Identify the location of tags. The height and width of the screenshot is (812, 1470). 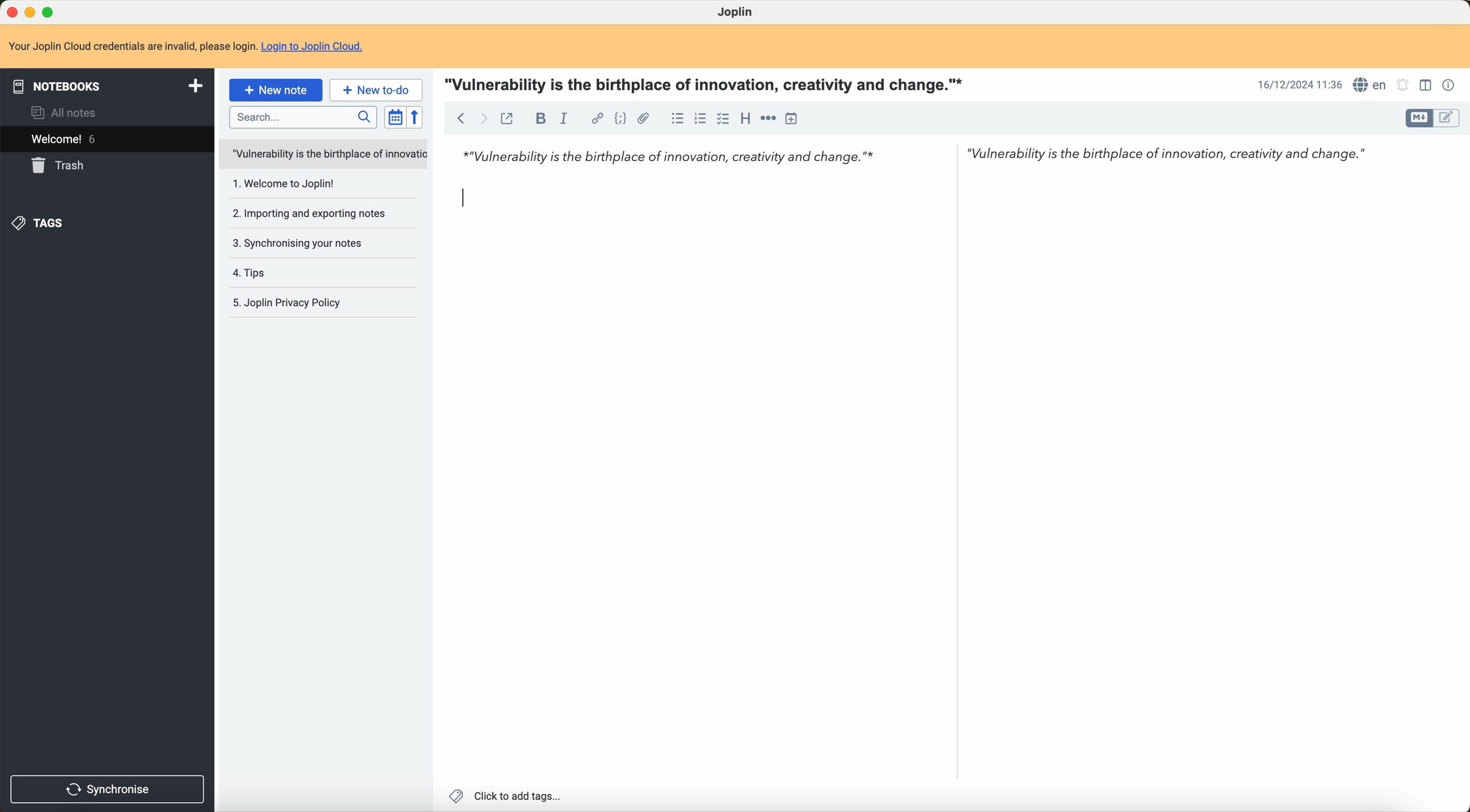
(42, 223).